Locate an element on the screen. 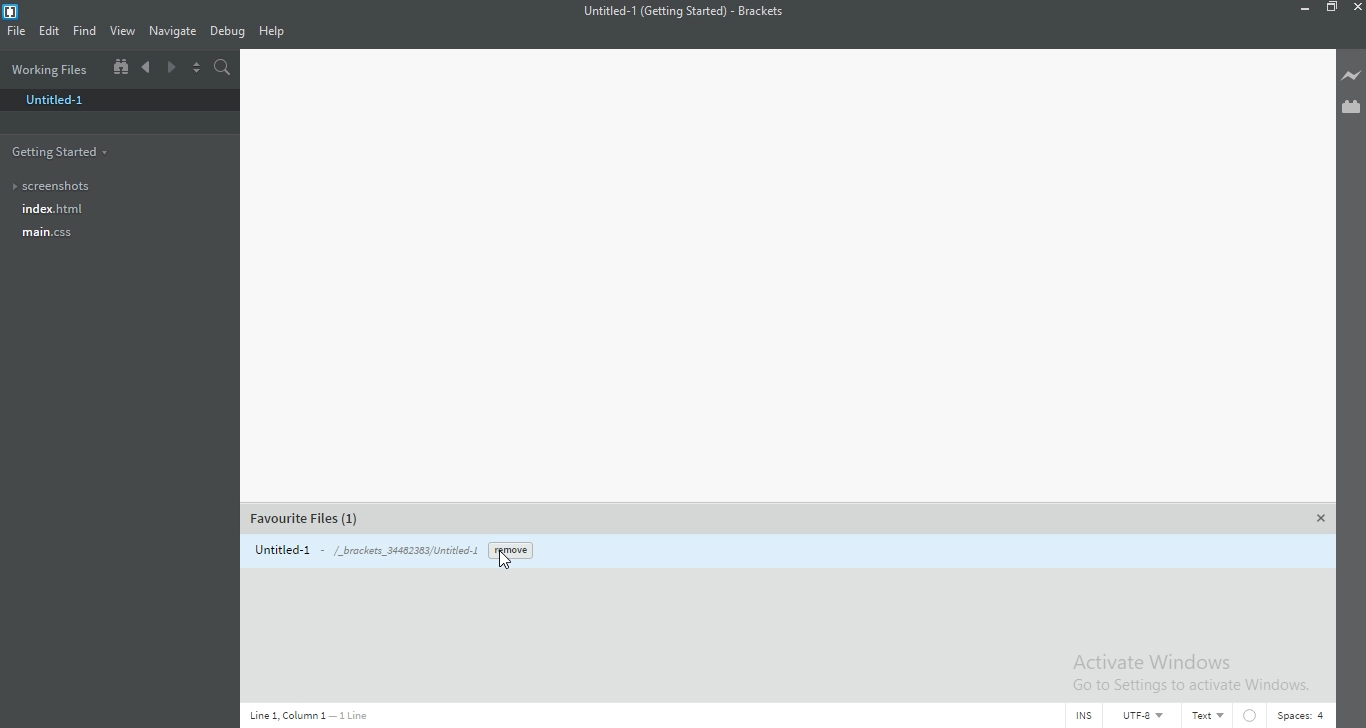  INS is located at coordinates (1086, 715).